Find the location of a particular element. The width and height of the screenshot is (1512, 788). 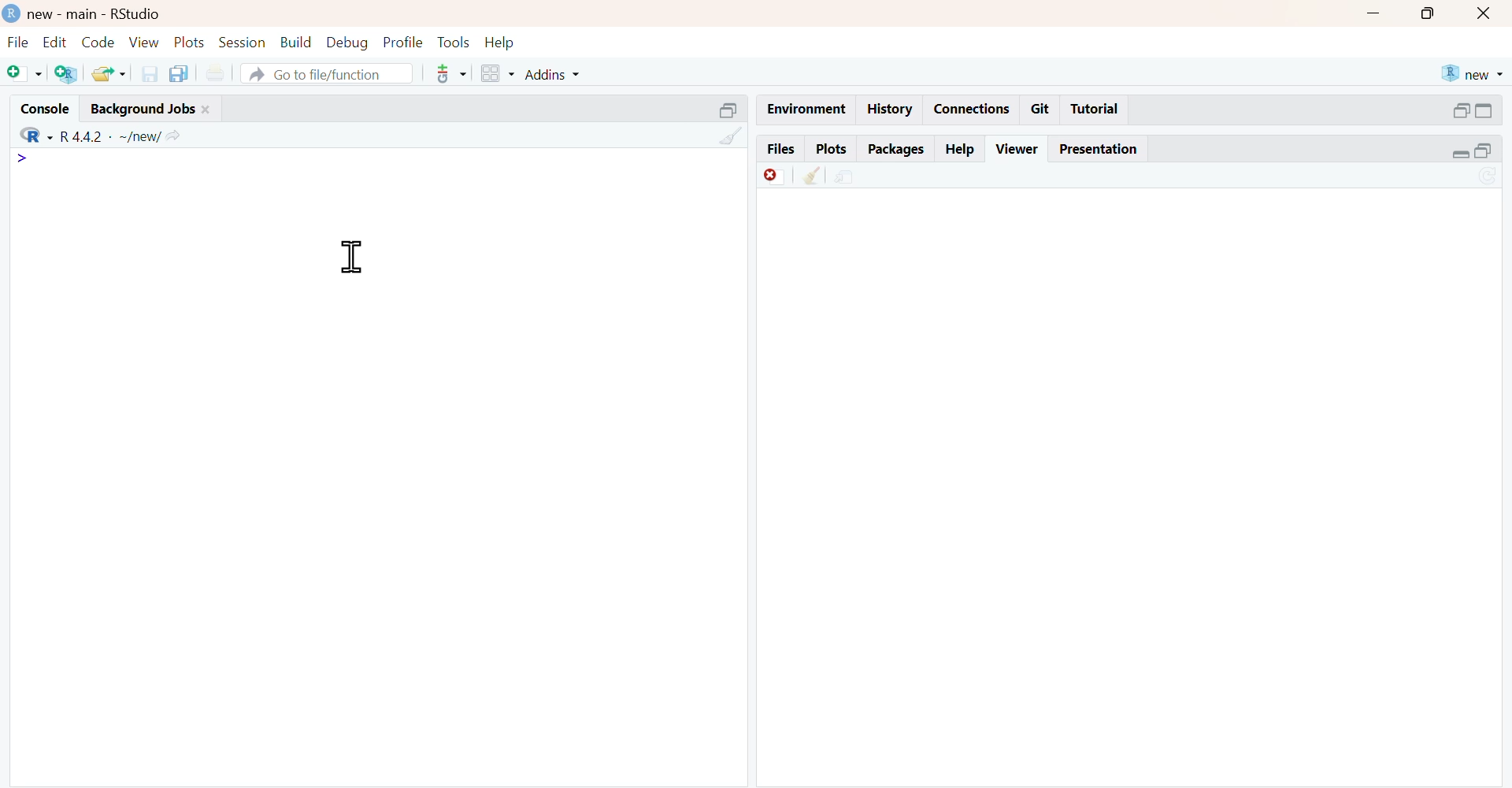

close is located at coordinates (207, 110).